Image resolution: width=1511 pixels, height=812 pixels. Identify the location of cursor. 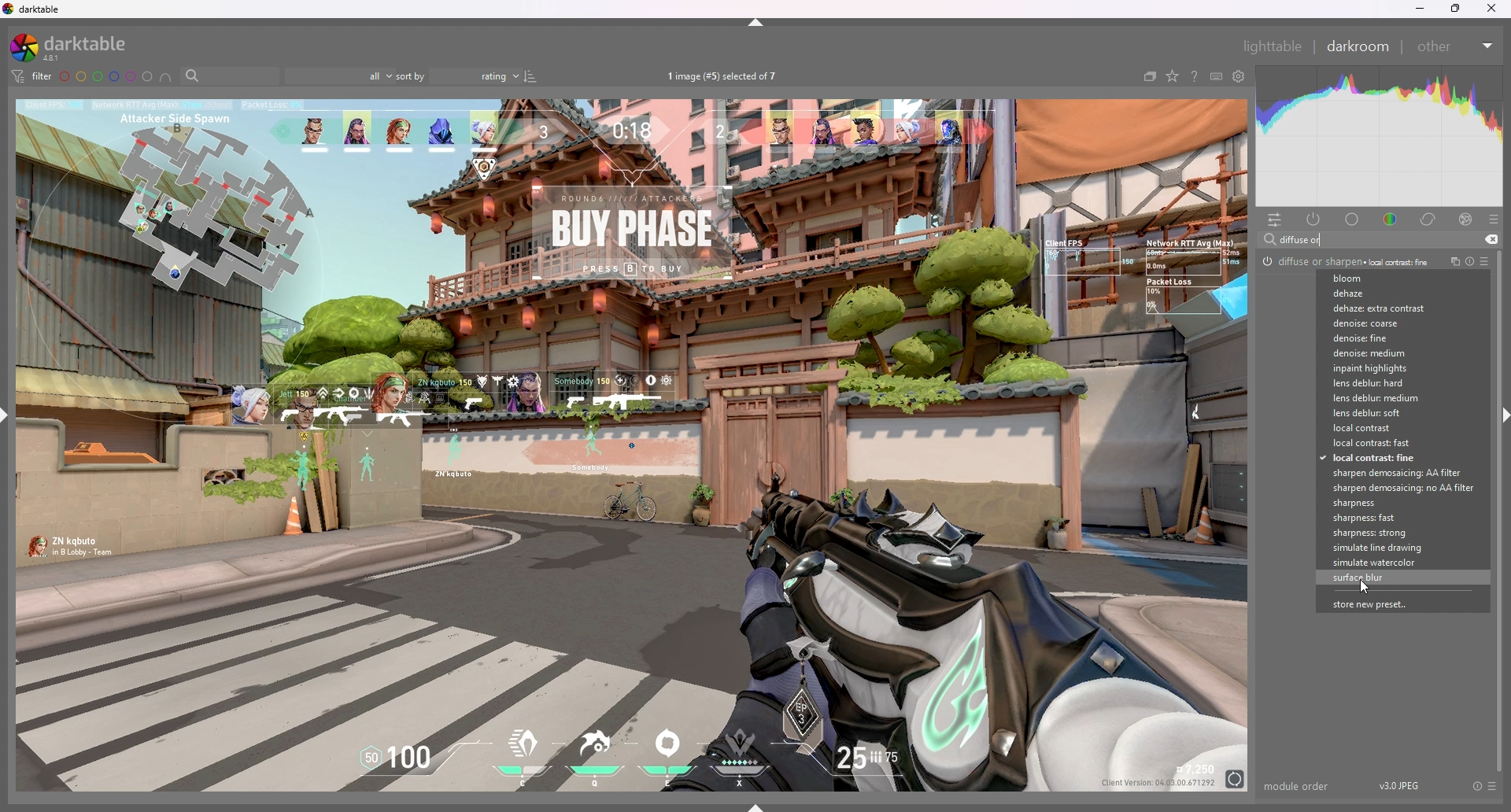
(1361, 586).